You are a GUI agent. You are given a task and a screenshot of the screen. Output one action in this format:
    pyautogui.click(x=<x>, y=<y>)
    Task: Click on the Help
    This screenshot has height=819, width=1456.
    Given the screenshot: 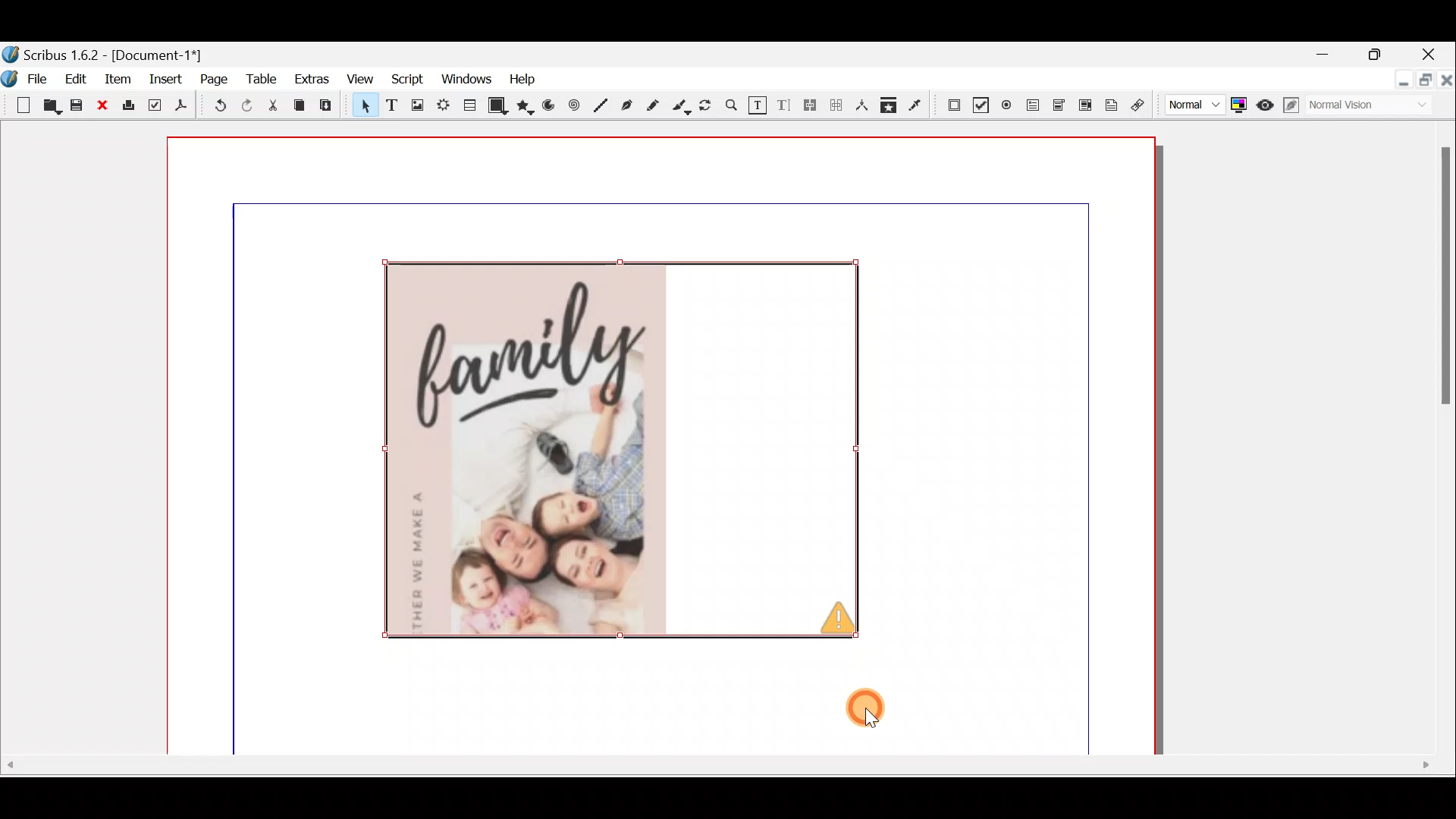 What is the action you would take?
    pyautogui.click(x=522, y=77)
    